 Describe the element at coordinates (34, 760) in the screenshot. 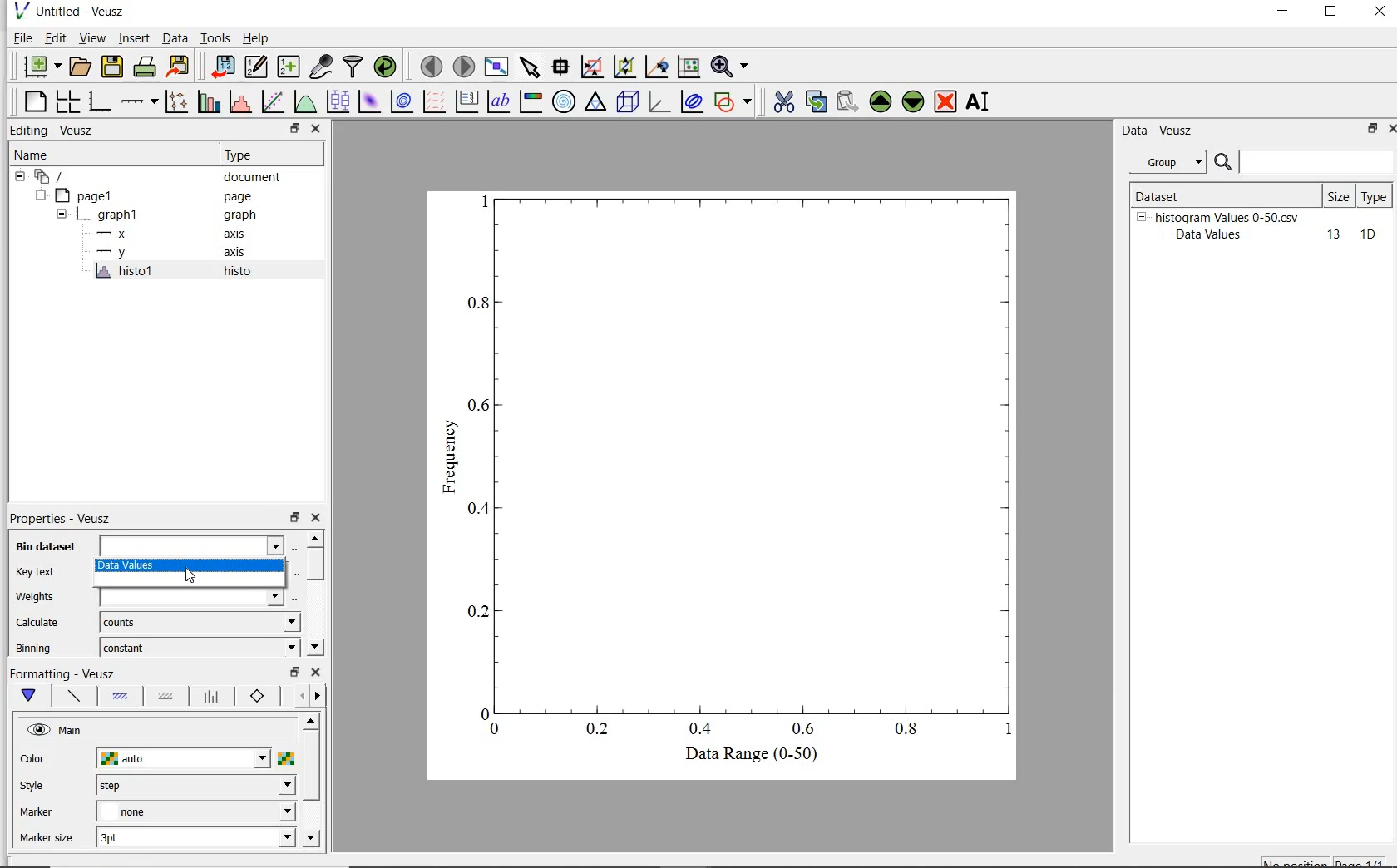

I see `Color` at that location.